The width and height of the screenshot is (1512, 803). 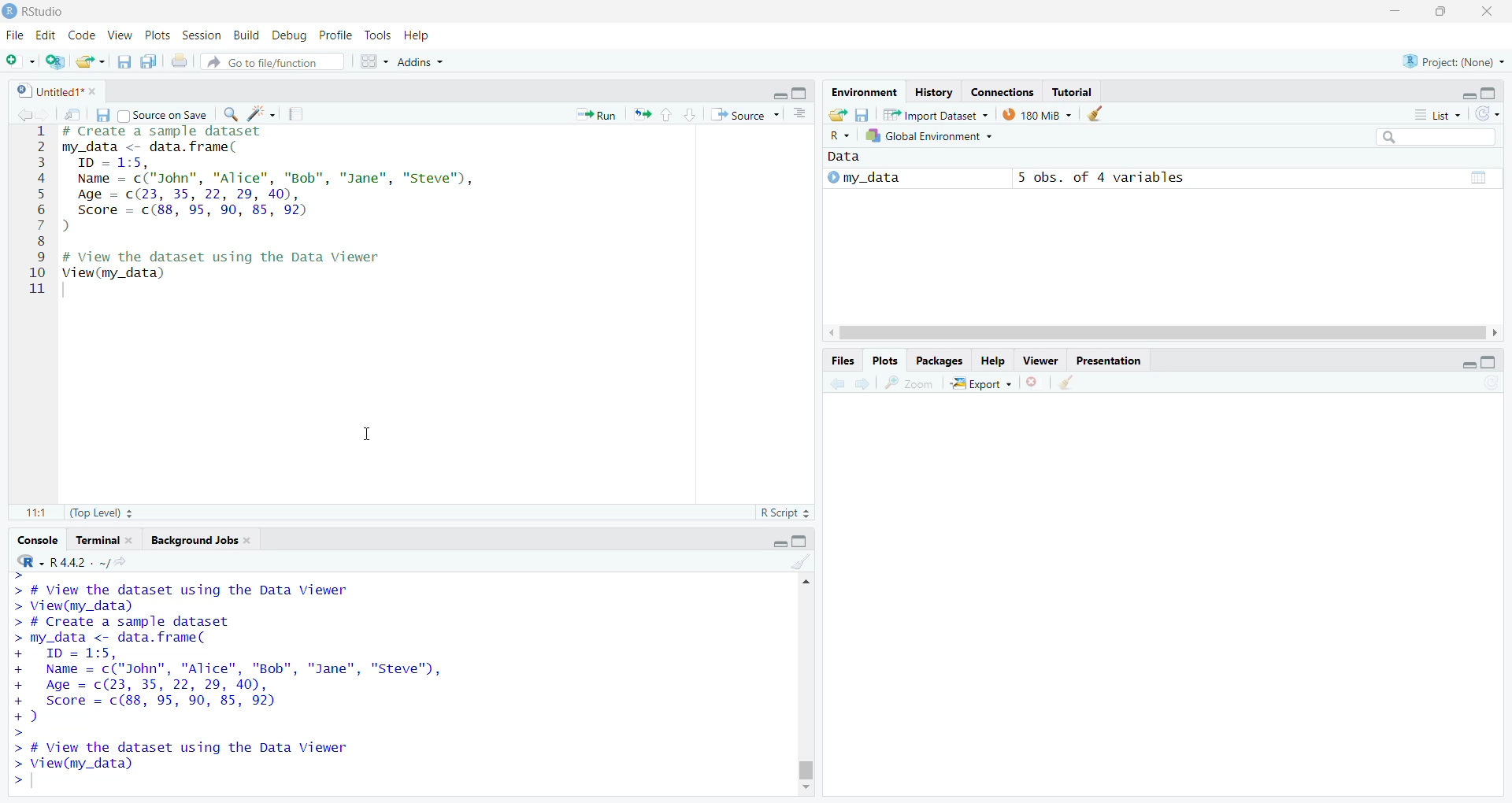 What do you see at coordinates (104, 539) in the screenshot?
I see `Terminal` at bounding box center [104, 539].